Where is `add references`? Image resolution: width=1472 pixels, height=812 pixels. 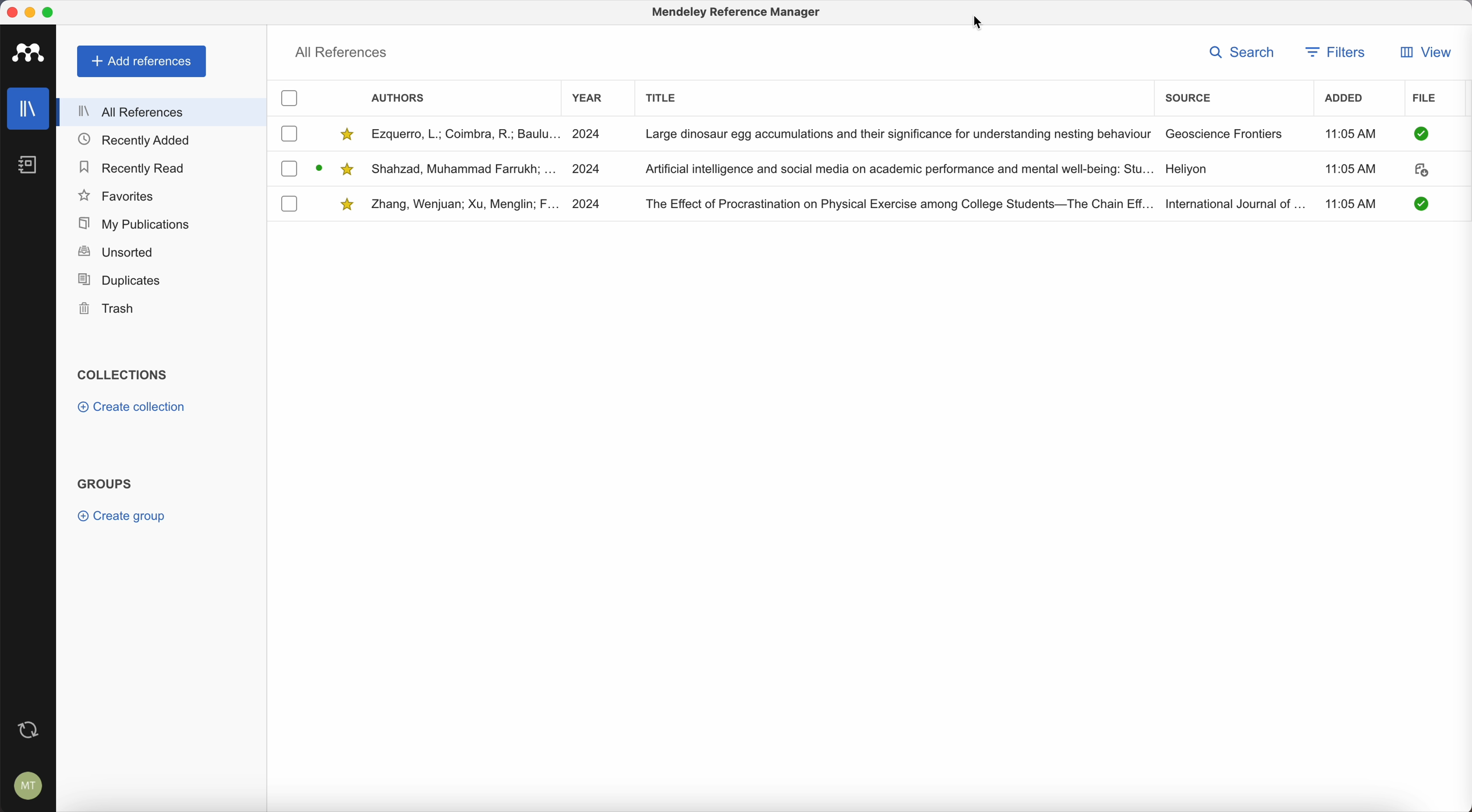 add references is located at coordinates (142, 62).